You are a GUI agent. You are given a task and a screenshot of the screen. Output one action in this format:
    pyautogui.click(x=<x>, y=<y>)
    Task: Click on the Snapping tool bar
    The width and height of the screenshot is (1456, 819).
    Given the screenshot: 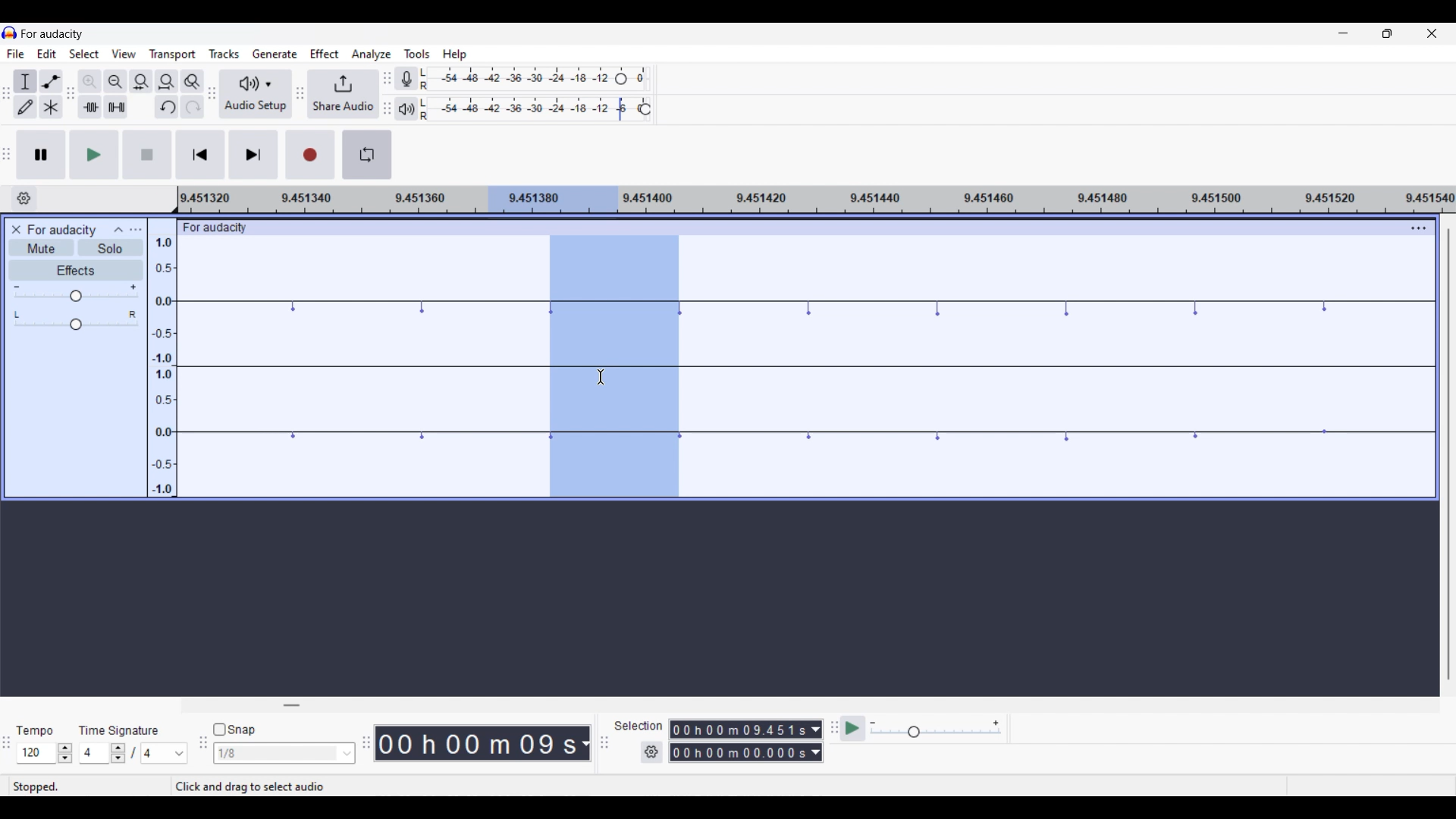 What is the action you would take?
    pyautogui.click(x=202, y=748)
    